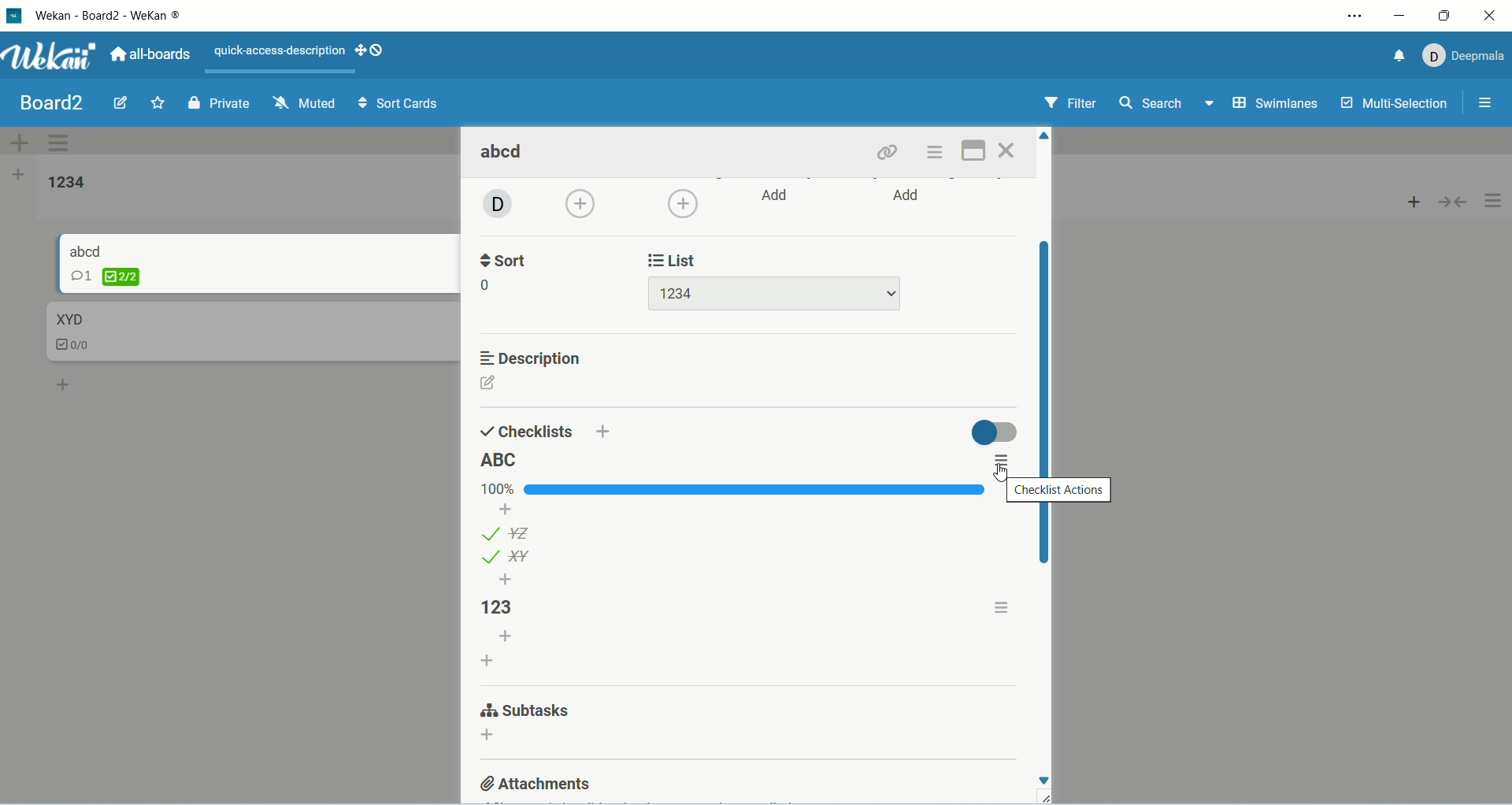 This screenshot has width=1512, height=805. Describe the element at coordinates (48, 102) in the screenshot. I see `board title` at that location.